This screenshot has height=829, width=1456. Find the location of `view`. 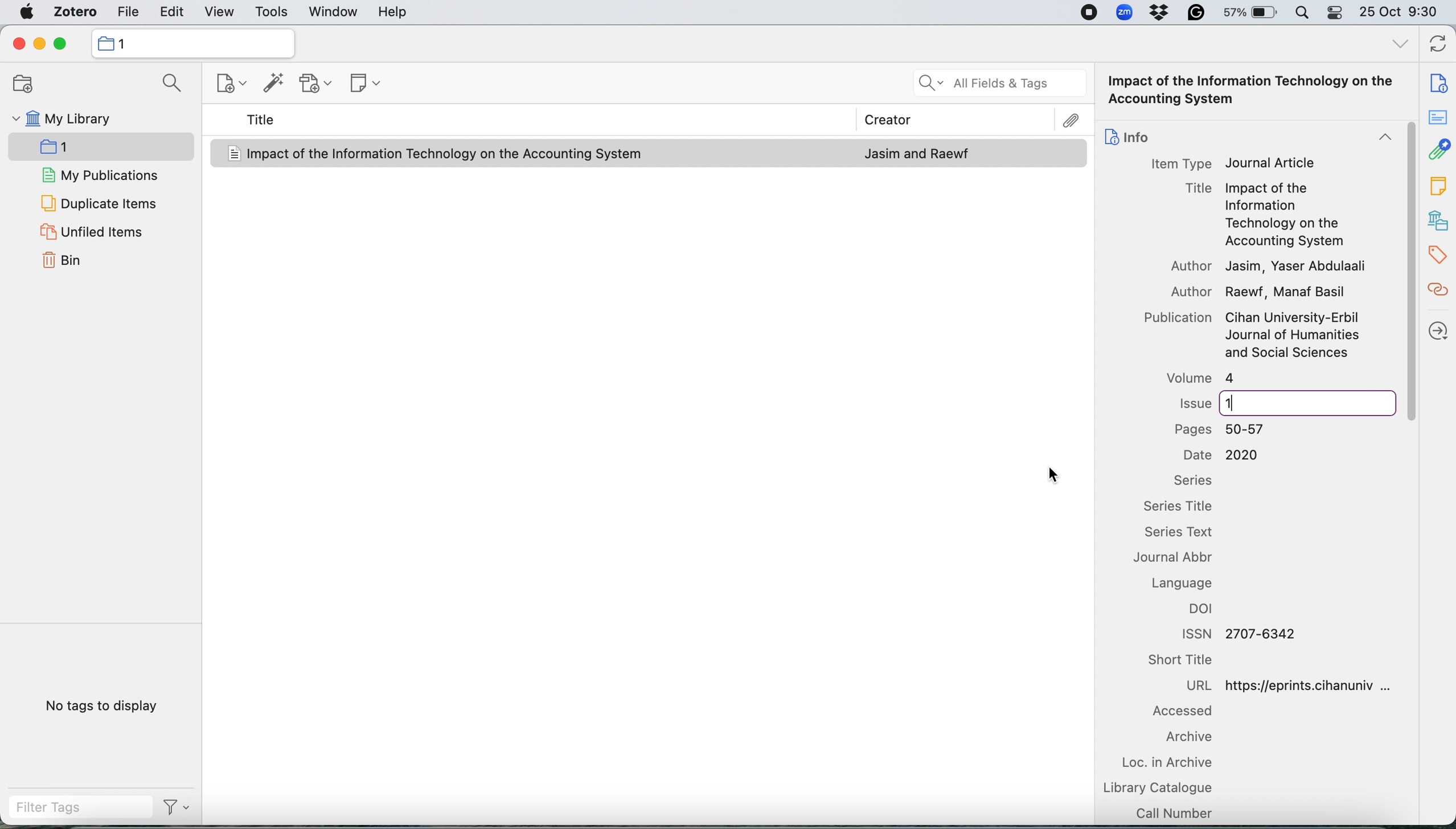

view is located at coordinates (220, 10).